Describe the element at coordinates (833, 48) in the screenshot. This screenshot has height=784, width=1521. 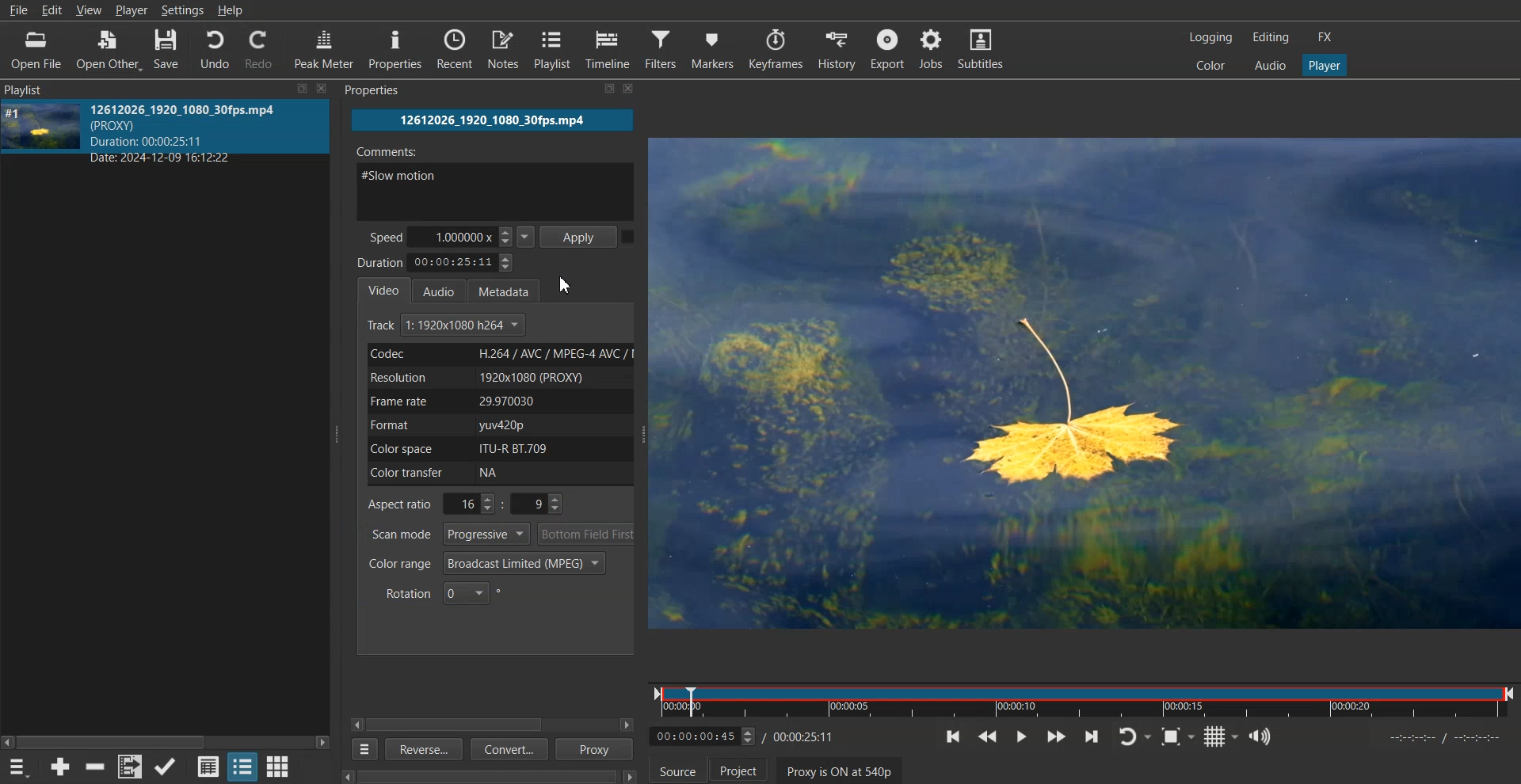
I see `History` at that location.